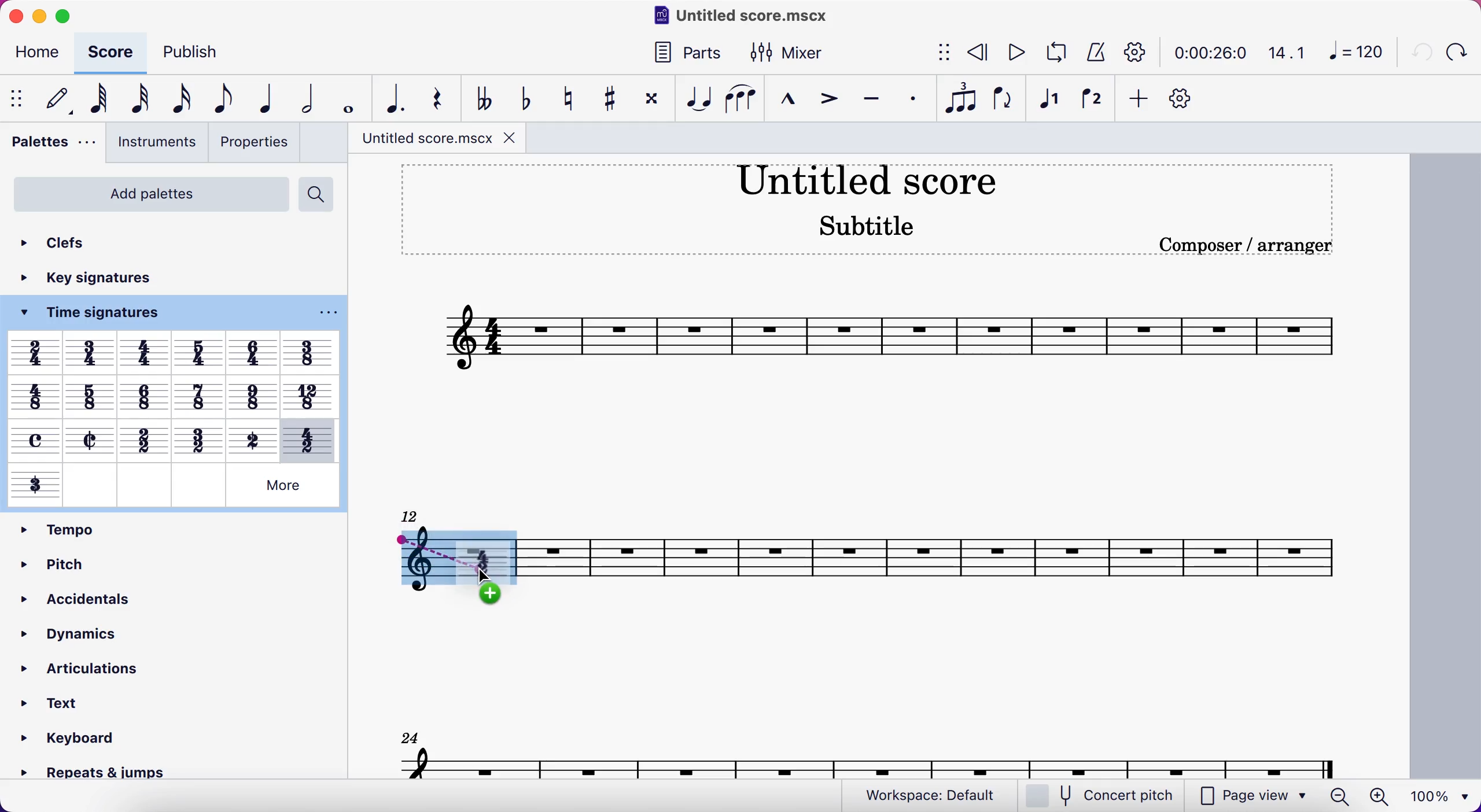  I want to click on , so click(35, 440).